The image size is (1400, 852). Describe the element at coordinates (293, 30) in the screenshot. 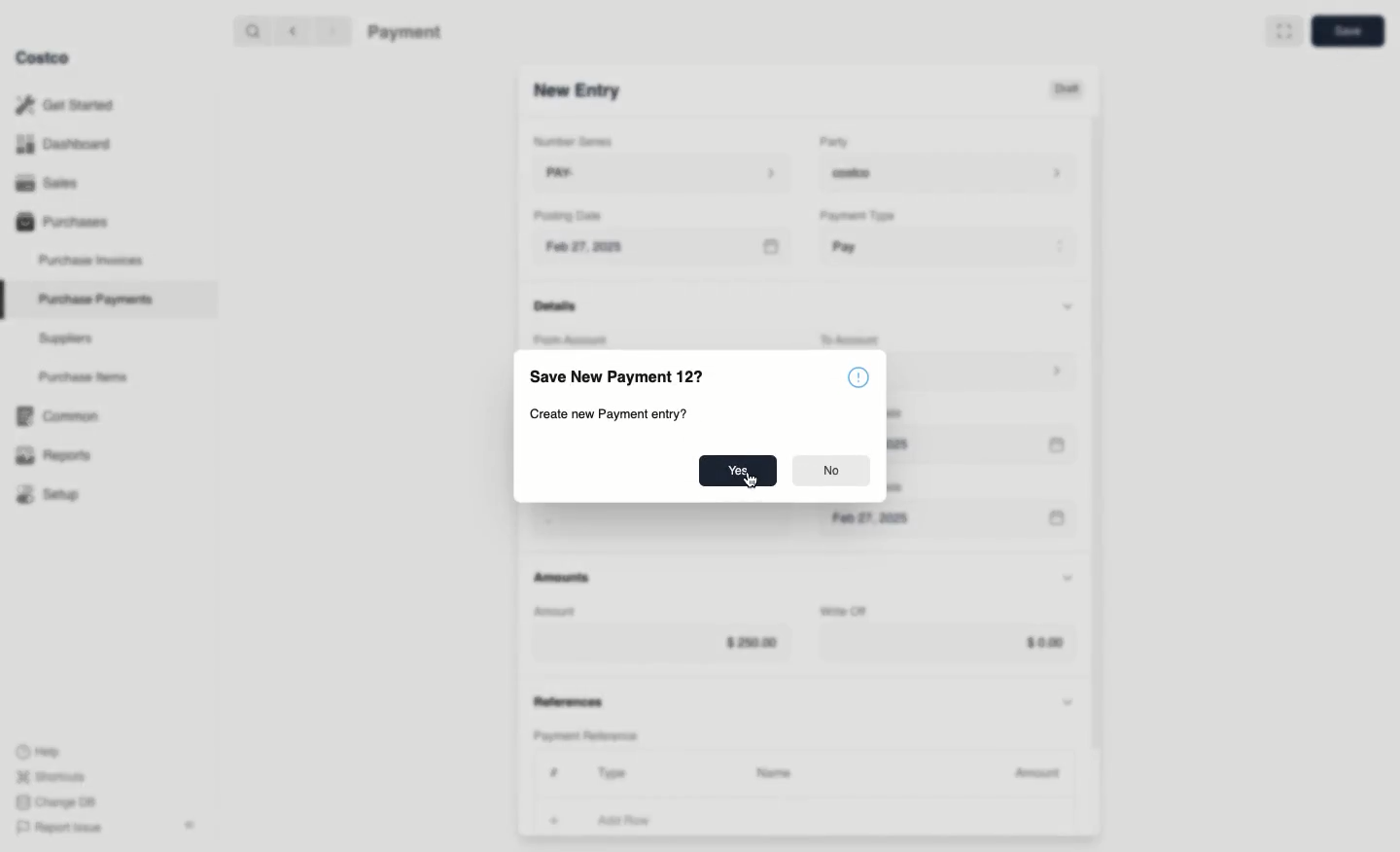

I see `Back` at that location.